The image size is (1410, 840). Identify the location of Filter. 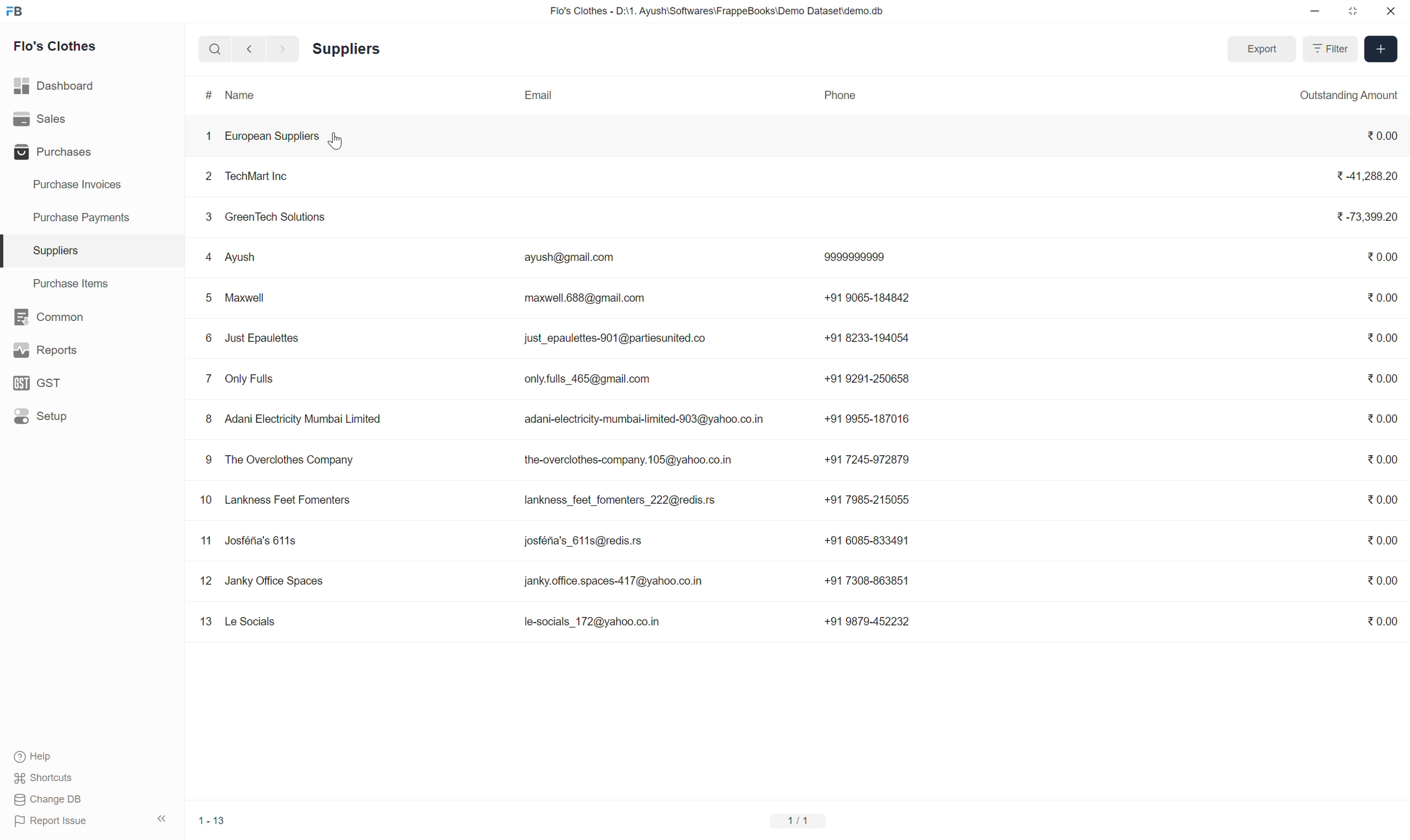
(1330, 49).